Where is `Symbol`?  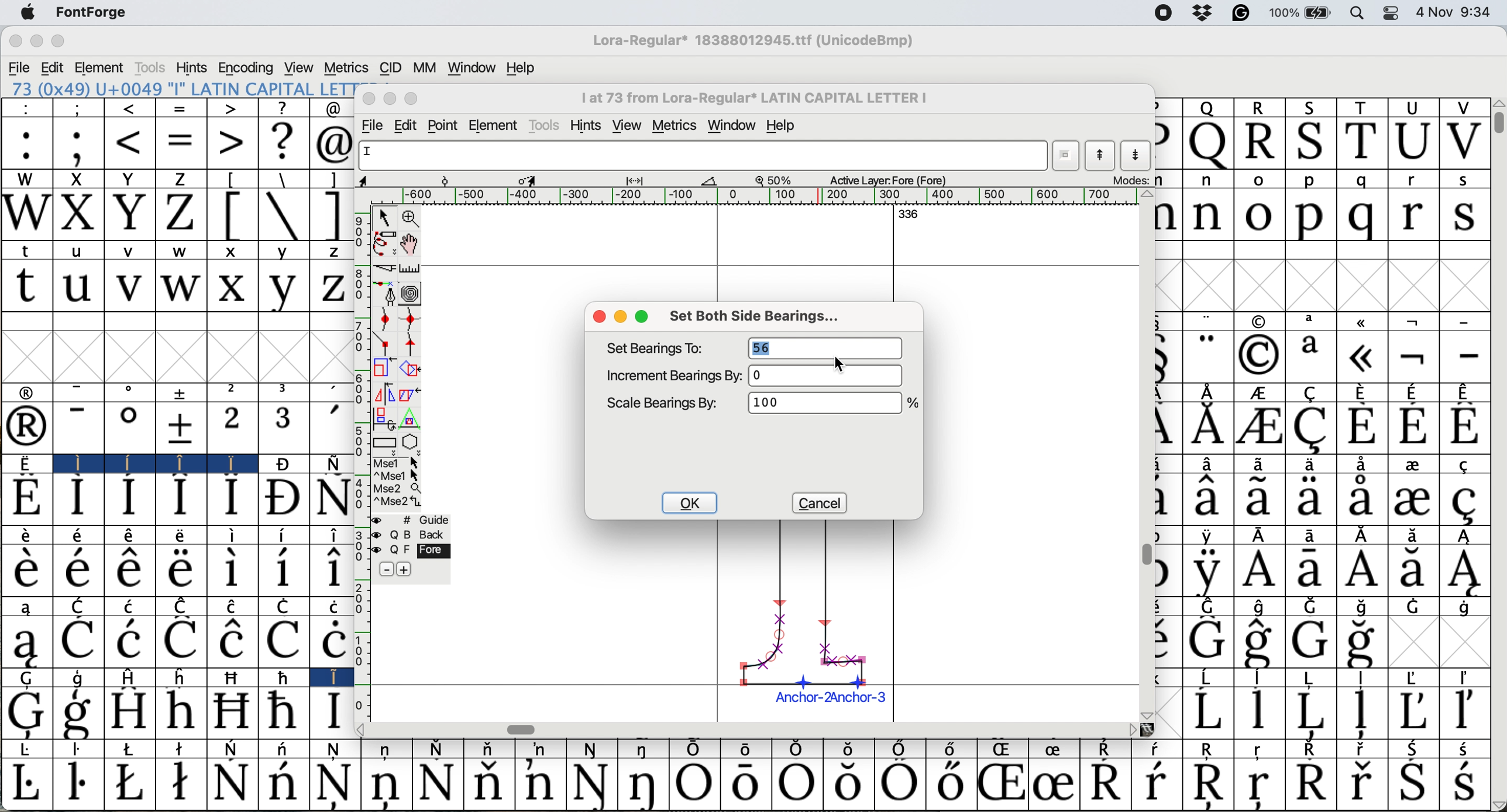
Symbol is located at coordinates (23, 569).